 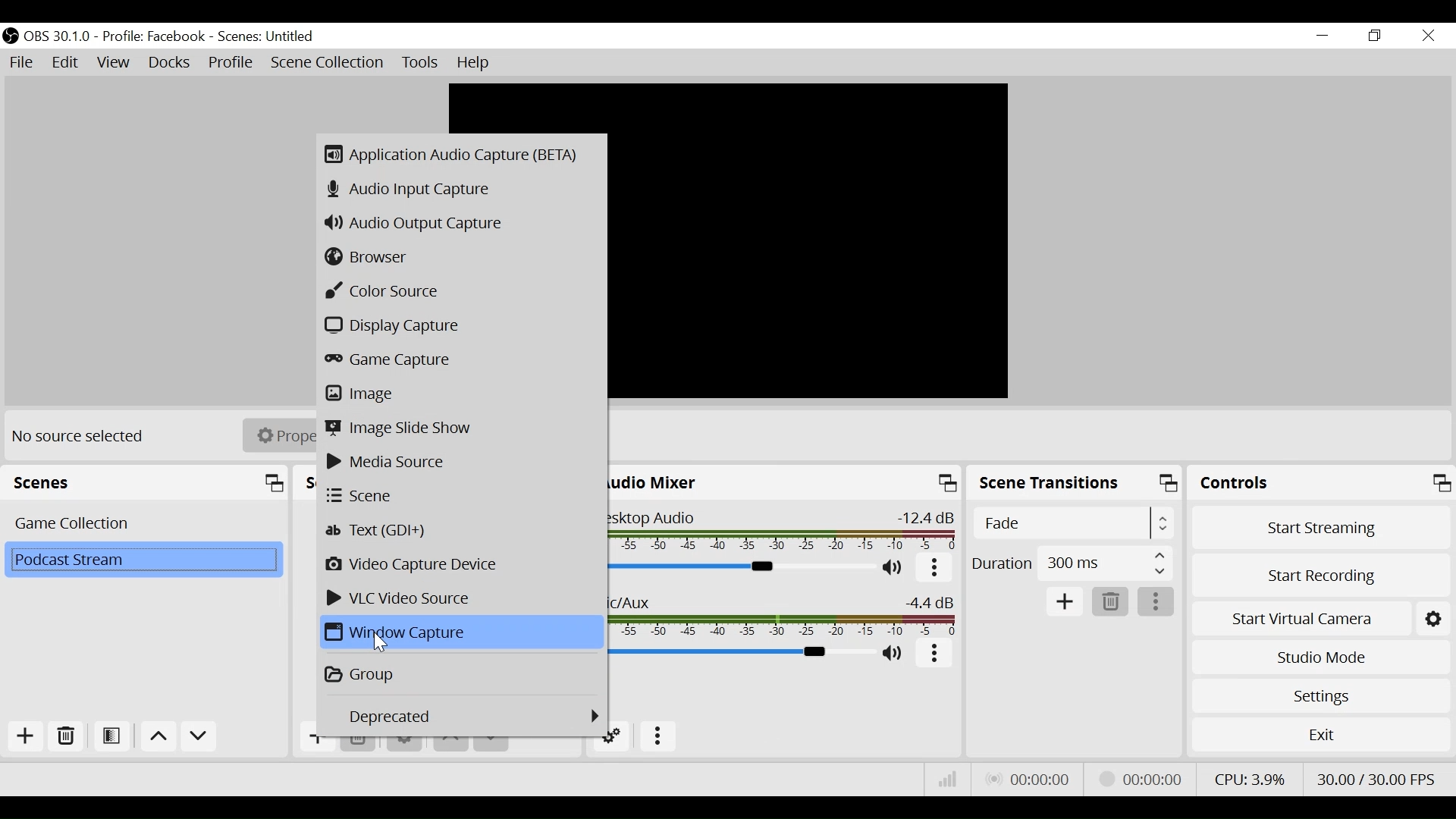 I want to click on Display Capture, so click(x=461, y=327).